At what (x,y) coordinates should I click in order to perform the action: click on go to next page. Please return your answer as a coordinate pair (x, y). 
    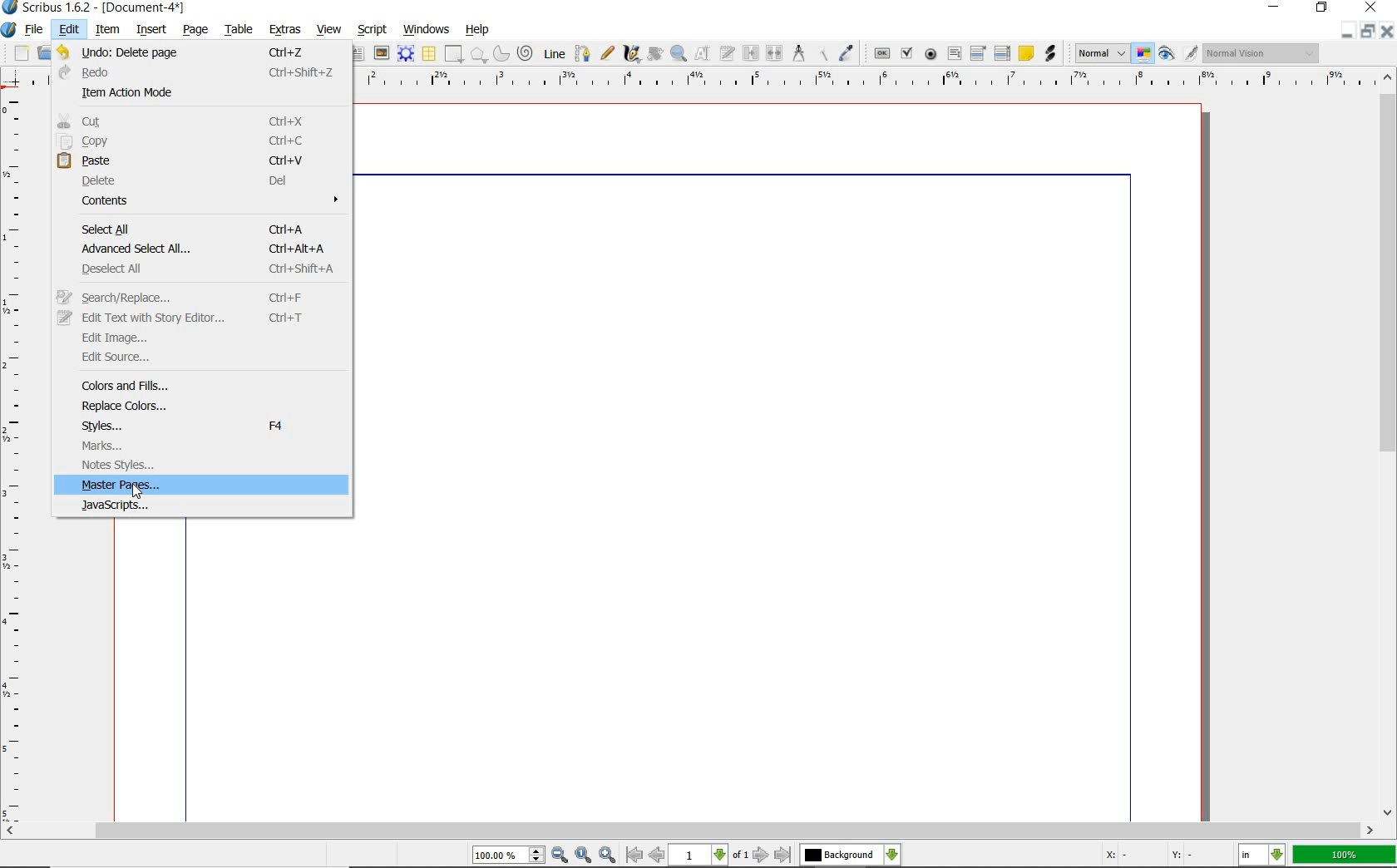
    Looking at the image, I should click on (763, 855).